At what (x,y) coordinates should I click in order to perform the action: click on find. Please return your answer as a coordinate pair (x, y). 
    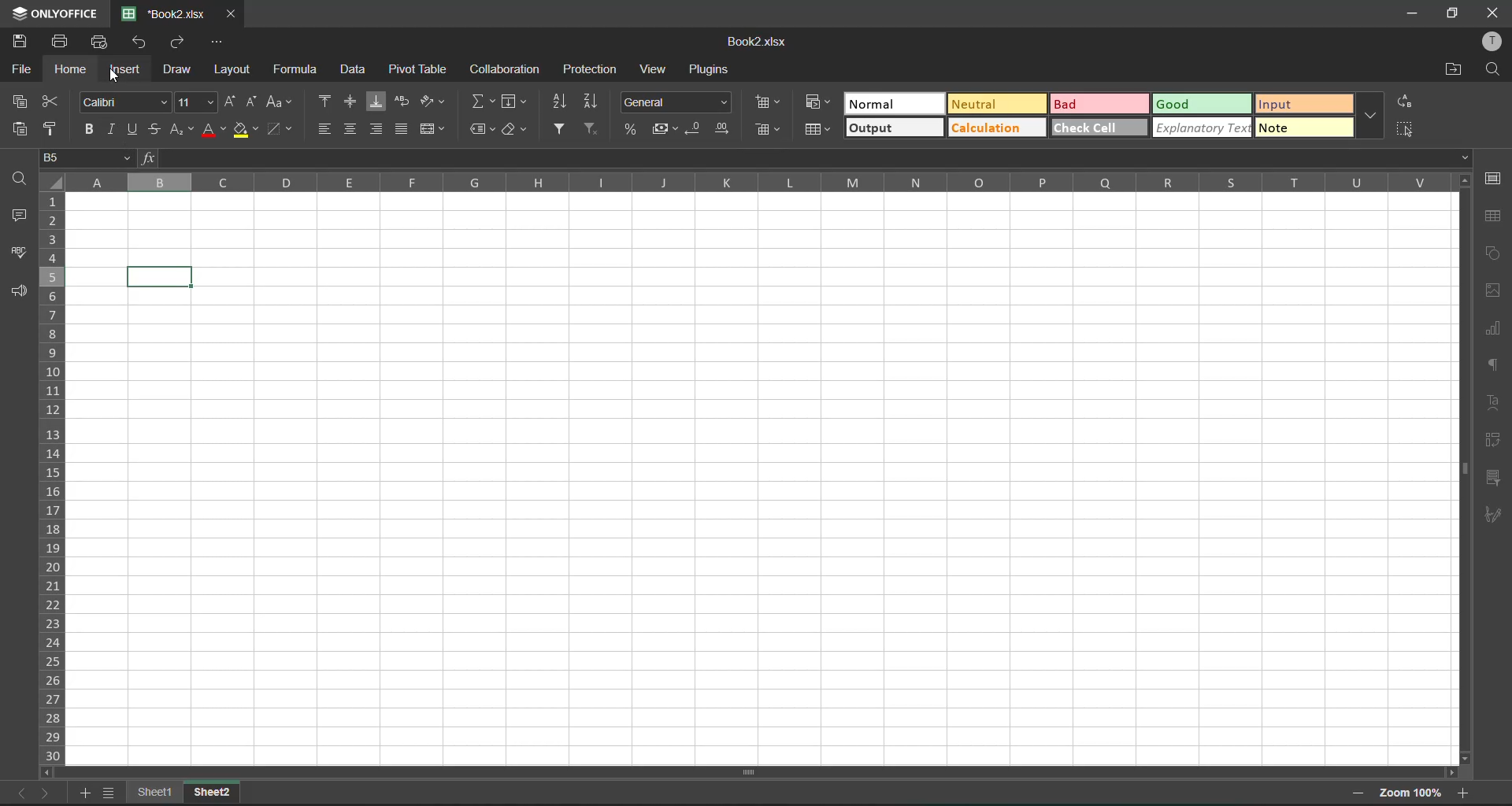
    Looking at the image, I should click on (1493, 71).